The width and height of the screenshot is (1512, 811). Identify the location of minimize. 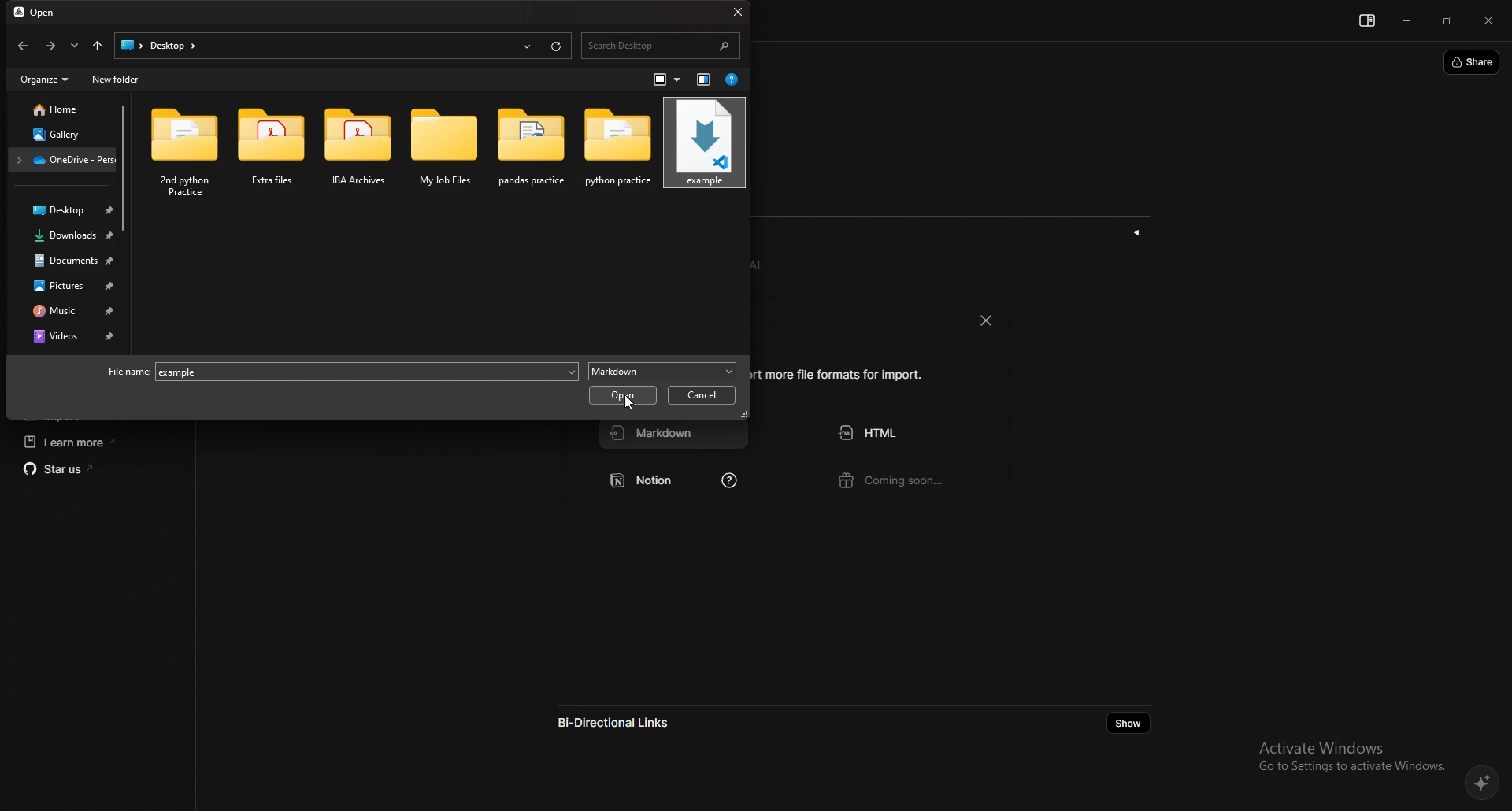
(1406, 20).